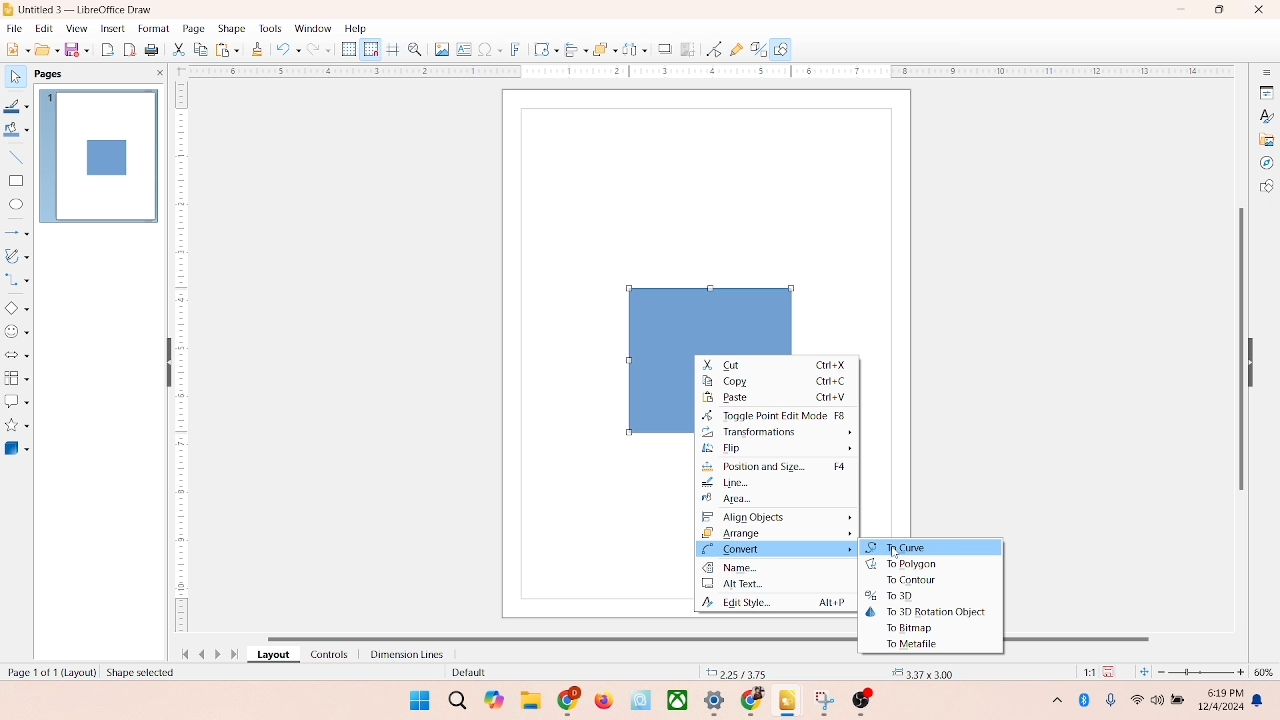 Image resolution: width=1280 pixels, height=720 pixels. I want to click on notifications, so click(1260, 700).